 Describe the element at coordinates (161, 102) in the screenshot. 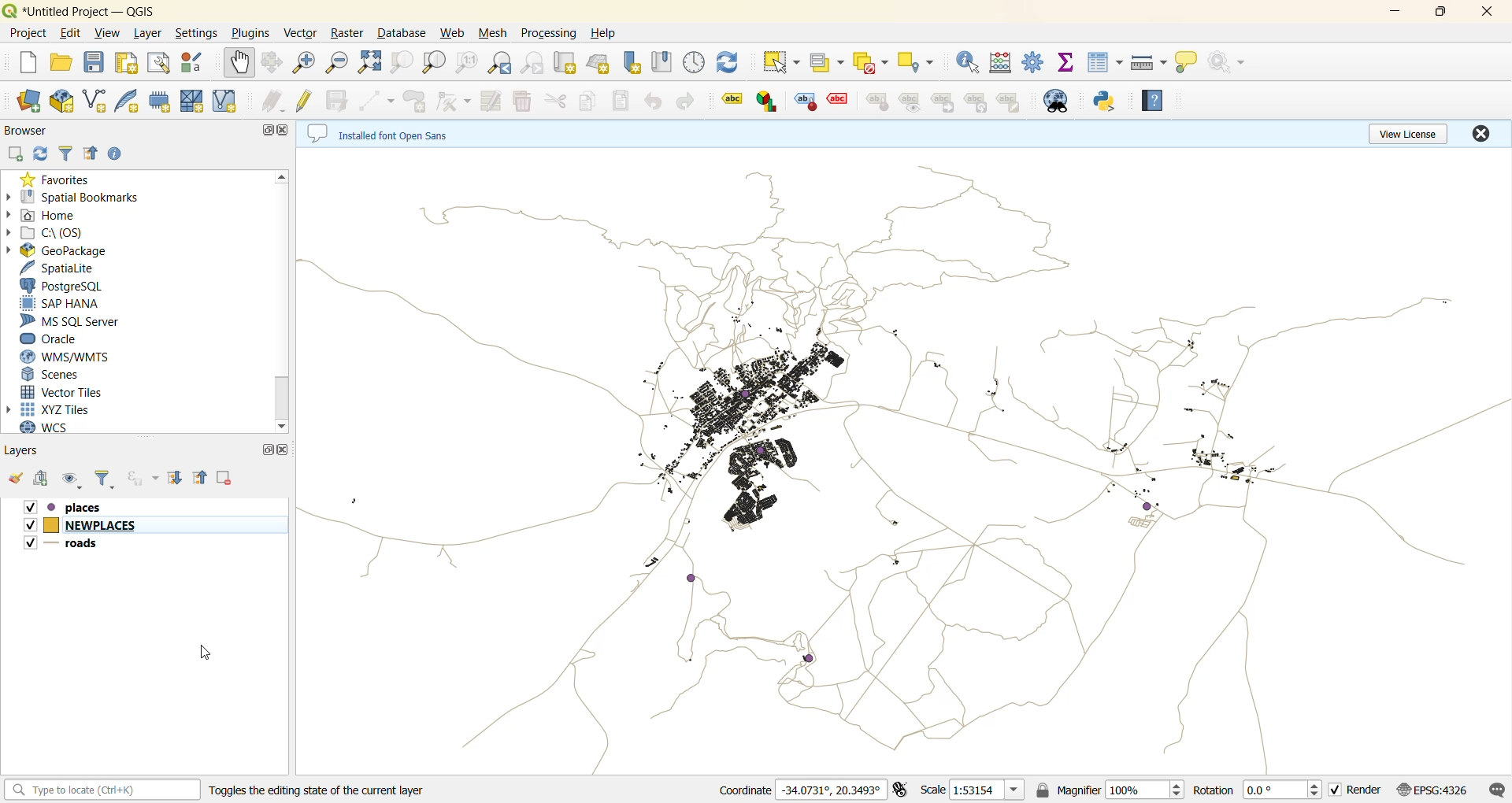

I see `new temporary scratch layer` at that location.